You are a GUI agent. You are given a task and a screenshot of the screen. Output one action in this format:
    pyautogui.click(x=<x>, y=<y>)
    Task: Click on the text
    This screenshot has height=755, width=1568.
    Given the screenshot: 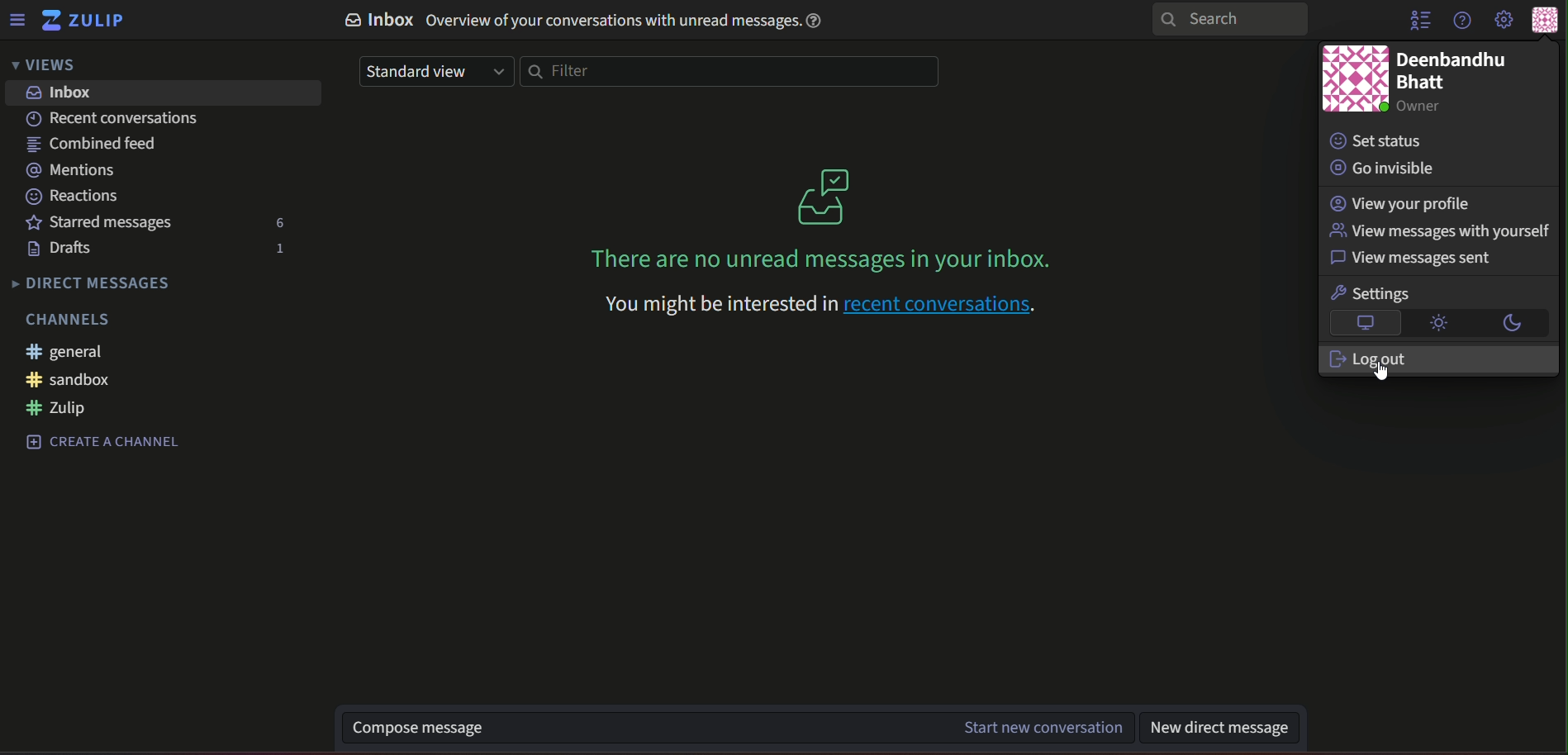 What is the action you would take?
    pyautogui.click(x=1225, y=727)
    